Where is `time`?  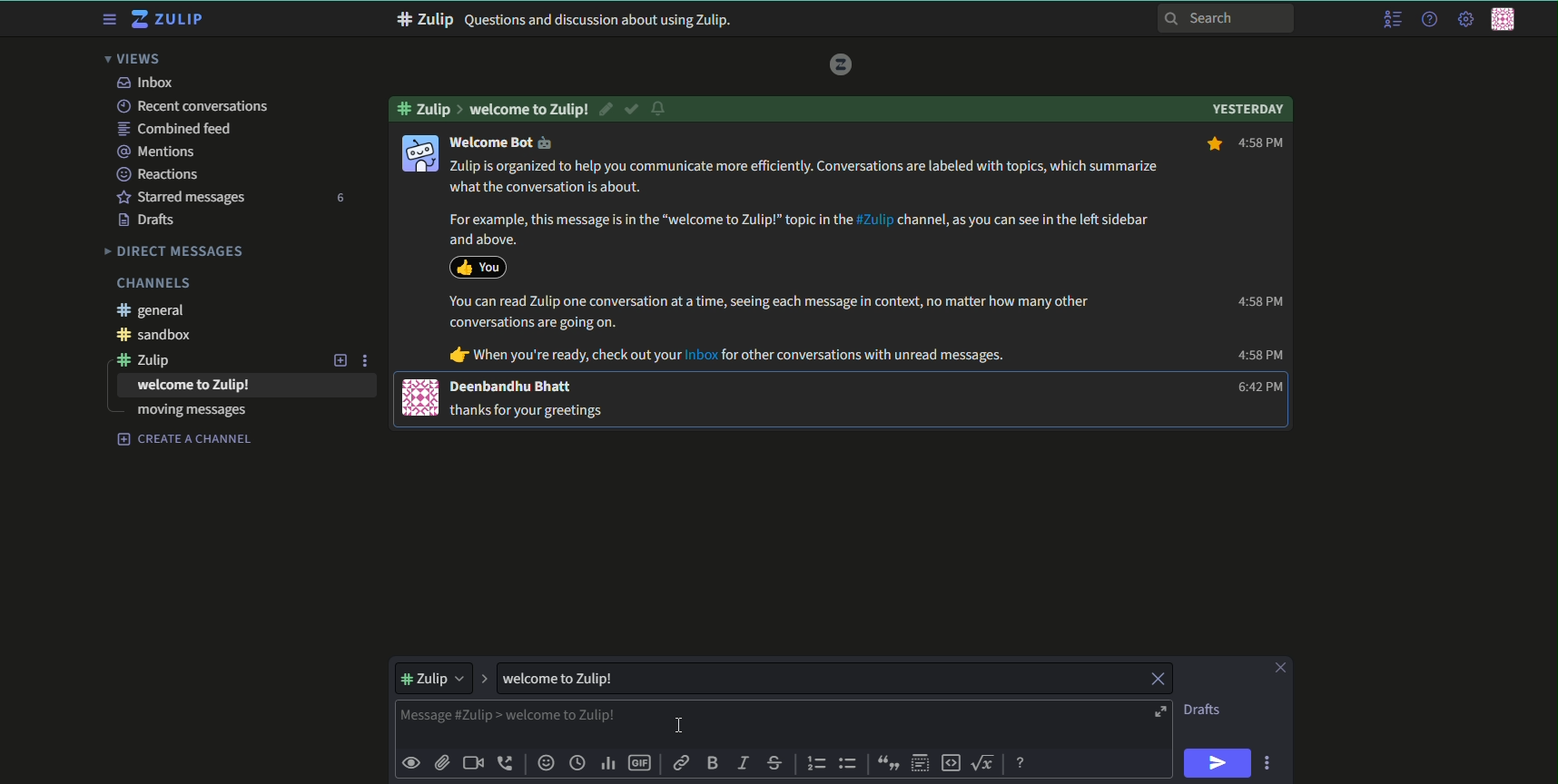 time is located at coordinates (579, 764).